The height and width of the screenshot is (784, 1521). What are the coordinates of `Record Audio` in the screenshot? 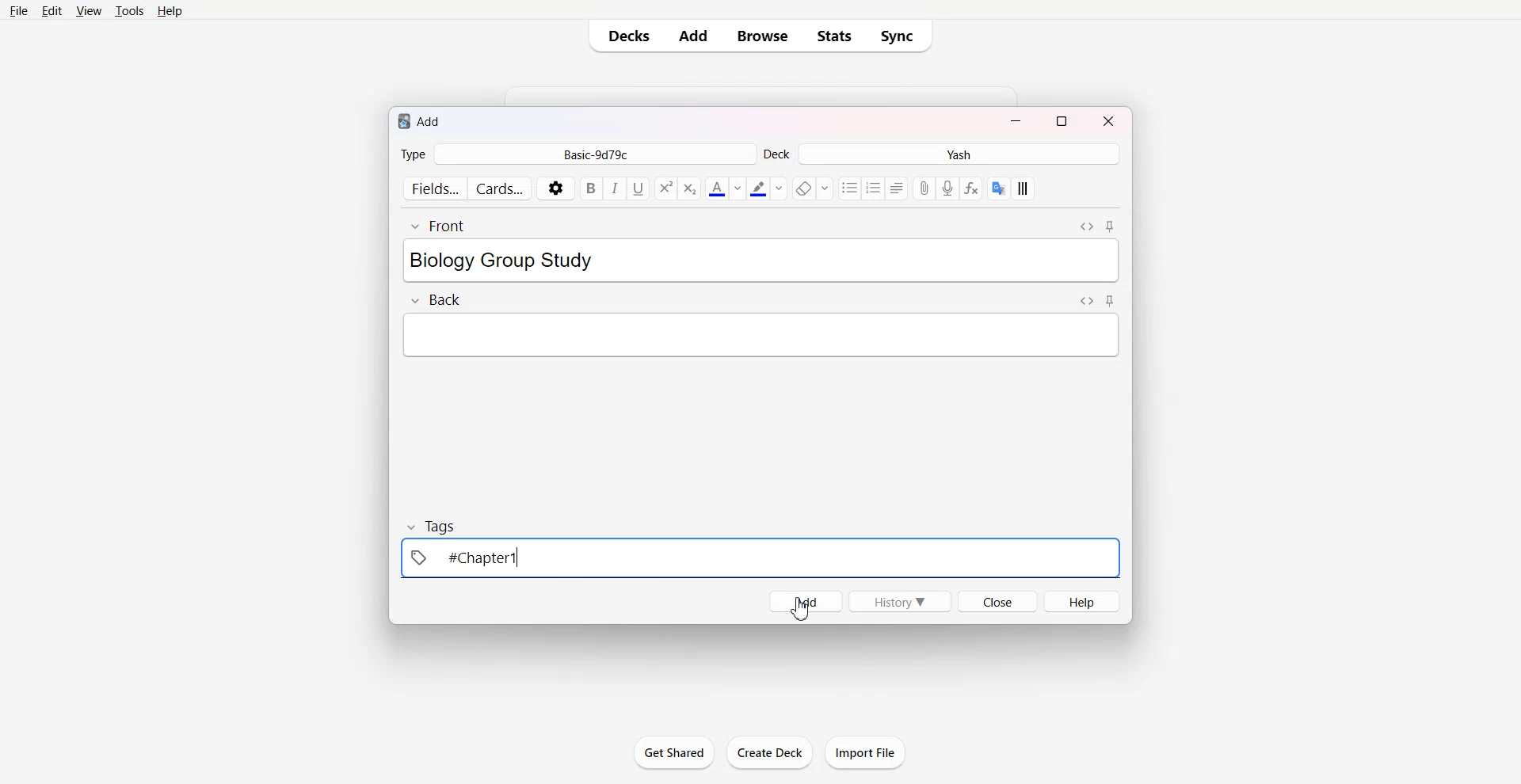 It's located at (947, 188).